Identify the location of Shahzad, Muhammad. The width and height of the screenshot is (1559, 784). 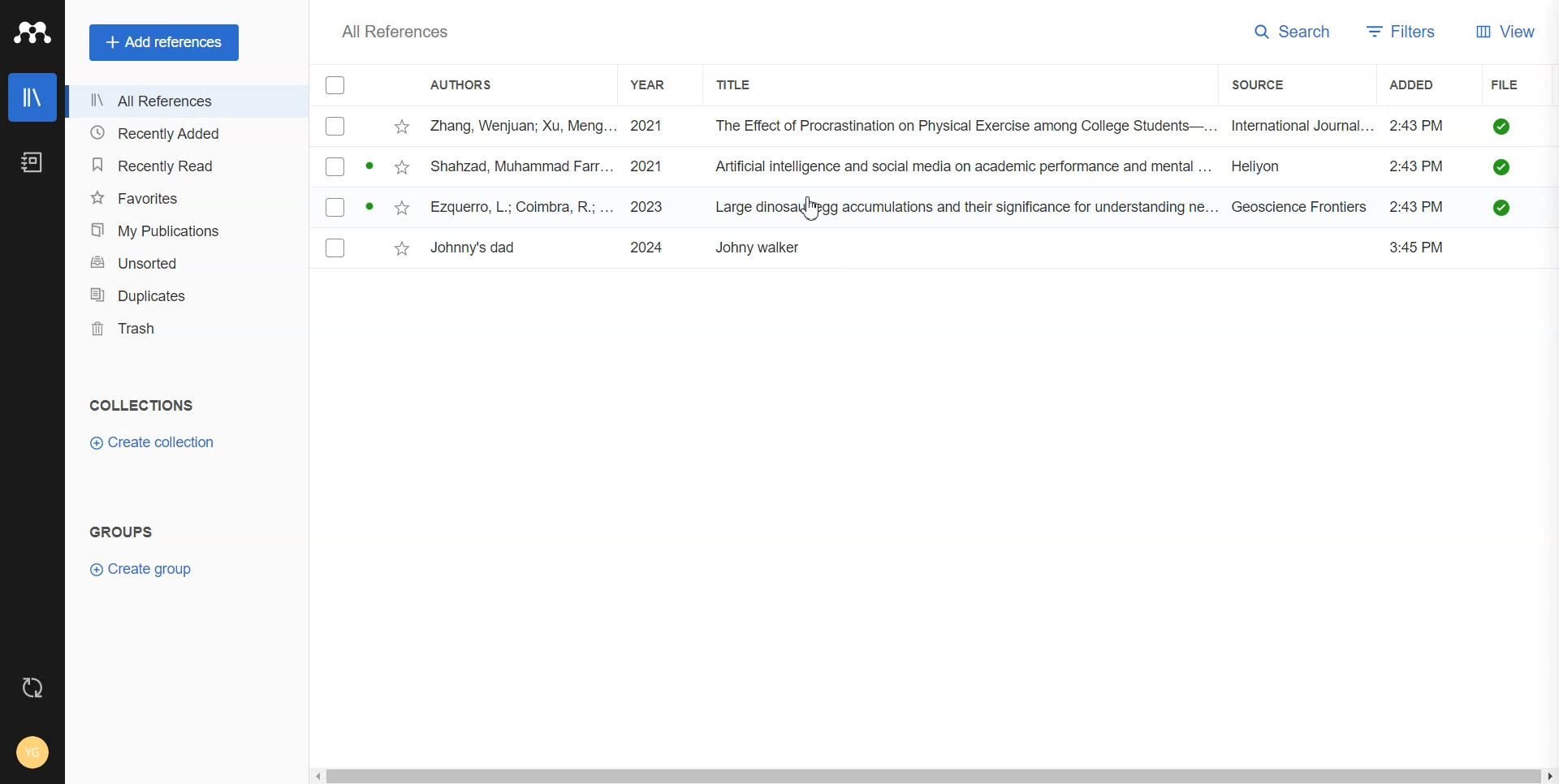
(524, 166).